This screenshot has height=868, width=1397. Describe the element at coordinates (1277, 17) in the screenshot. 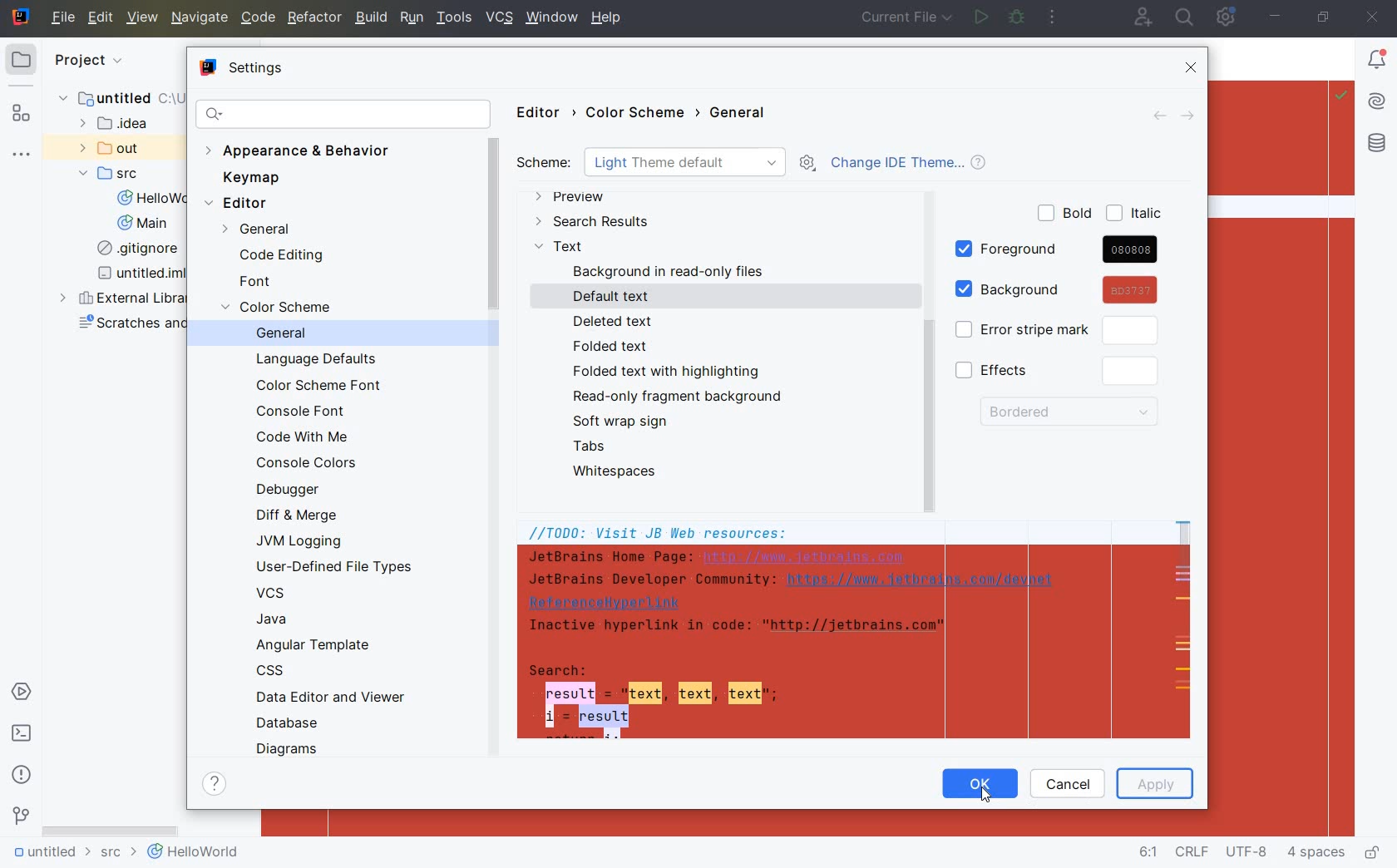

I see `minimize` at that location.